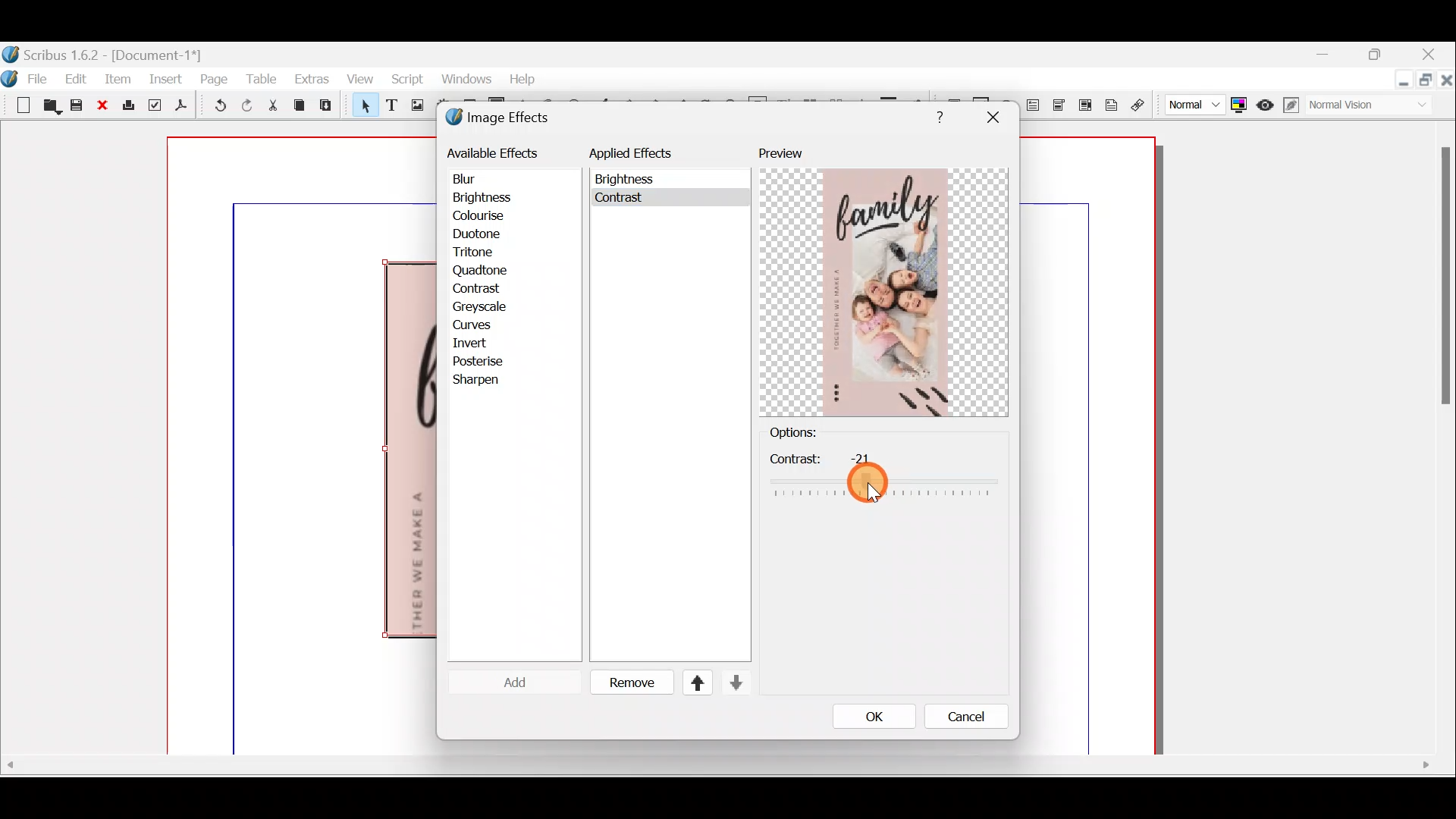 This screenshot has width=1456, height=819. What do you see at coordinates (1447, 83) in the screenshot?
I see `Close` at bounding box center [1447, 83].